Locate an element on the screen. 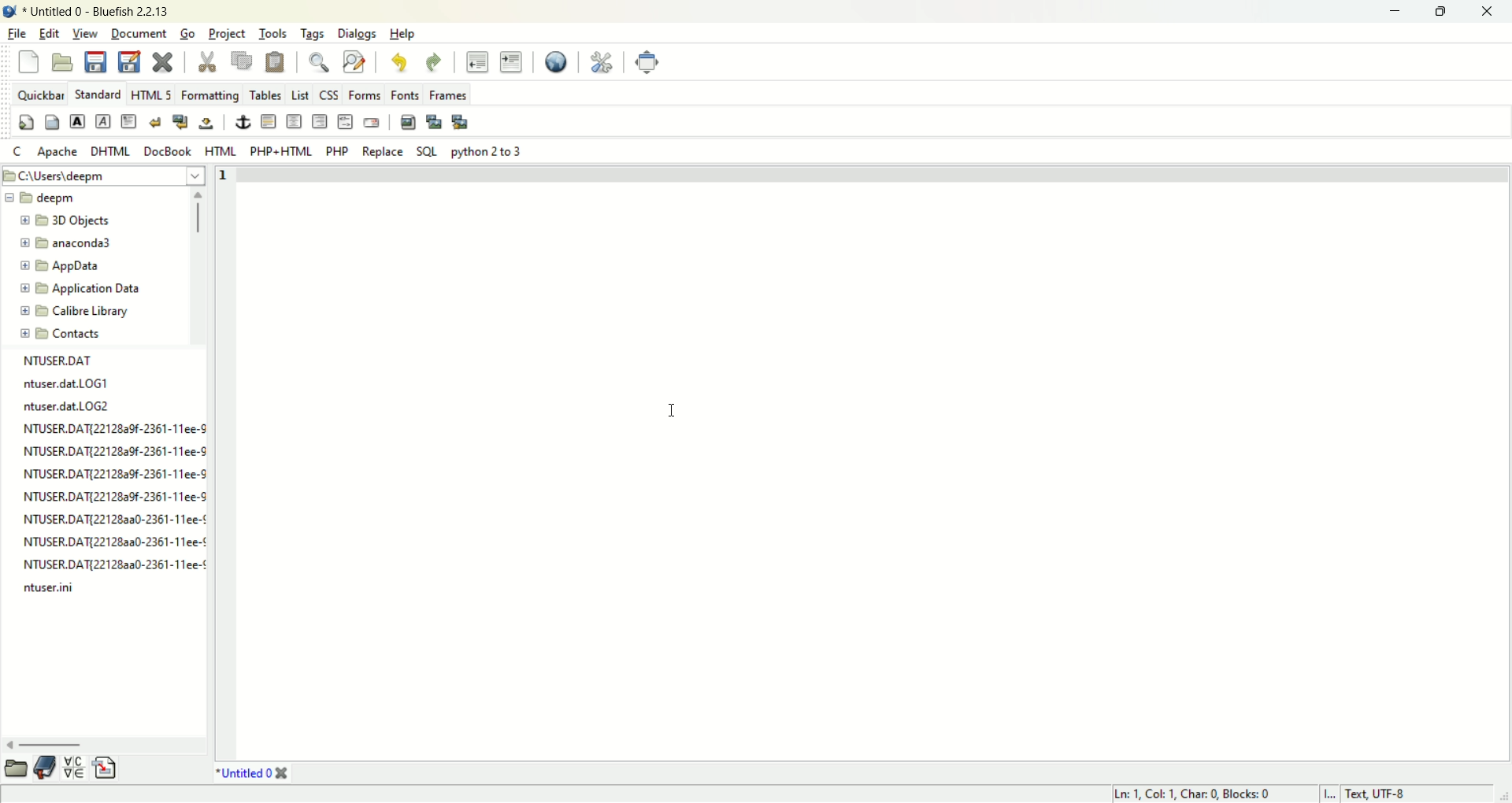  preferences is located at coordinates (601, 62).